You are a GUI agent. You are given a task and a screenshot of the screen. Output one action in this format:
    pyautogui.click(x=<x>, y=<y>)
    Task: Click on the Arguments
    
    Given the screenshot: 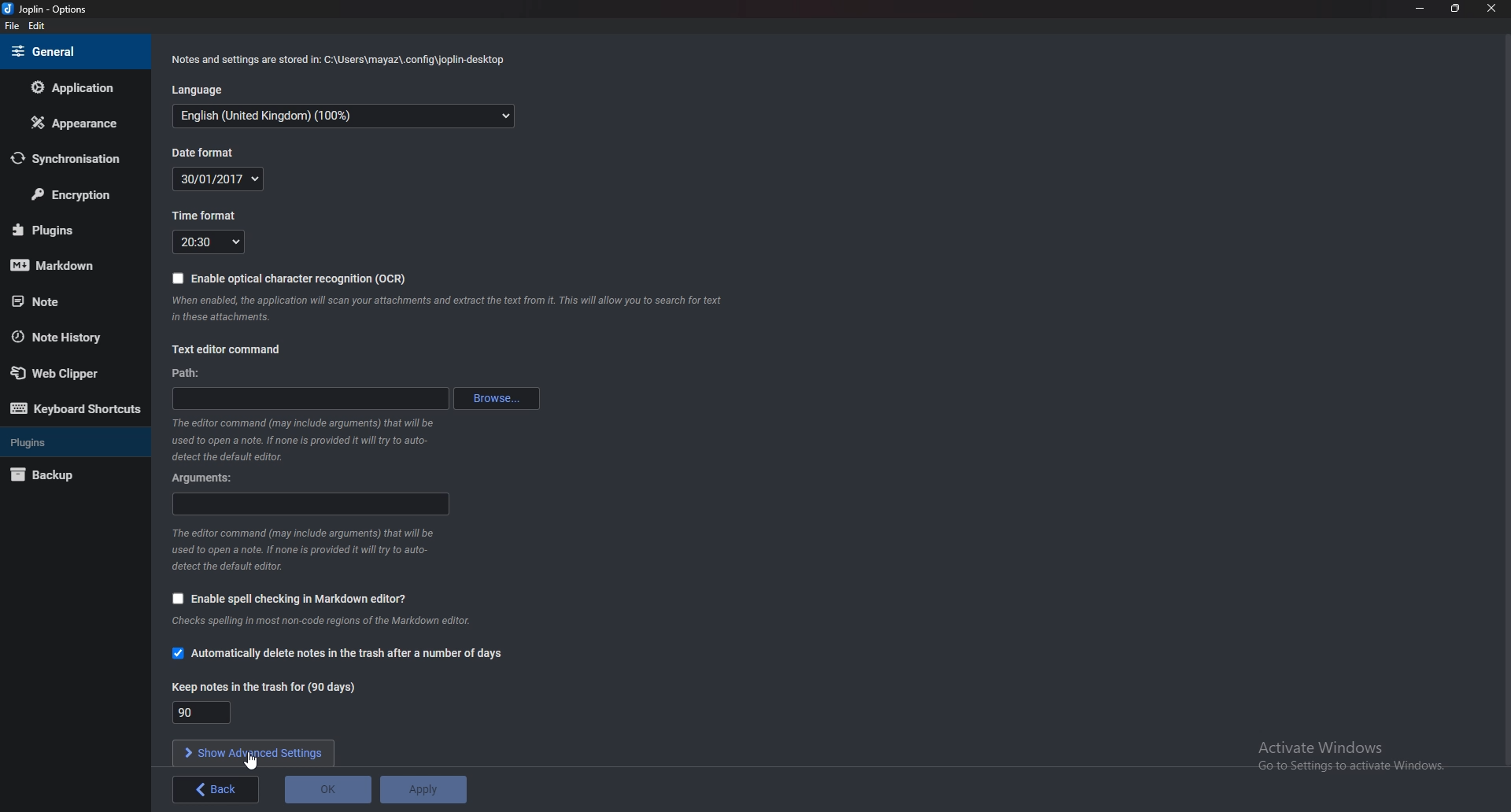 What is the action you would take?
    pyautogui.click(x=209, y=477)
    